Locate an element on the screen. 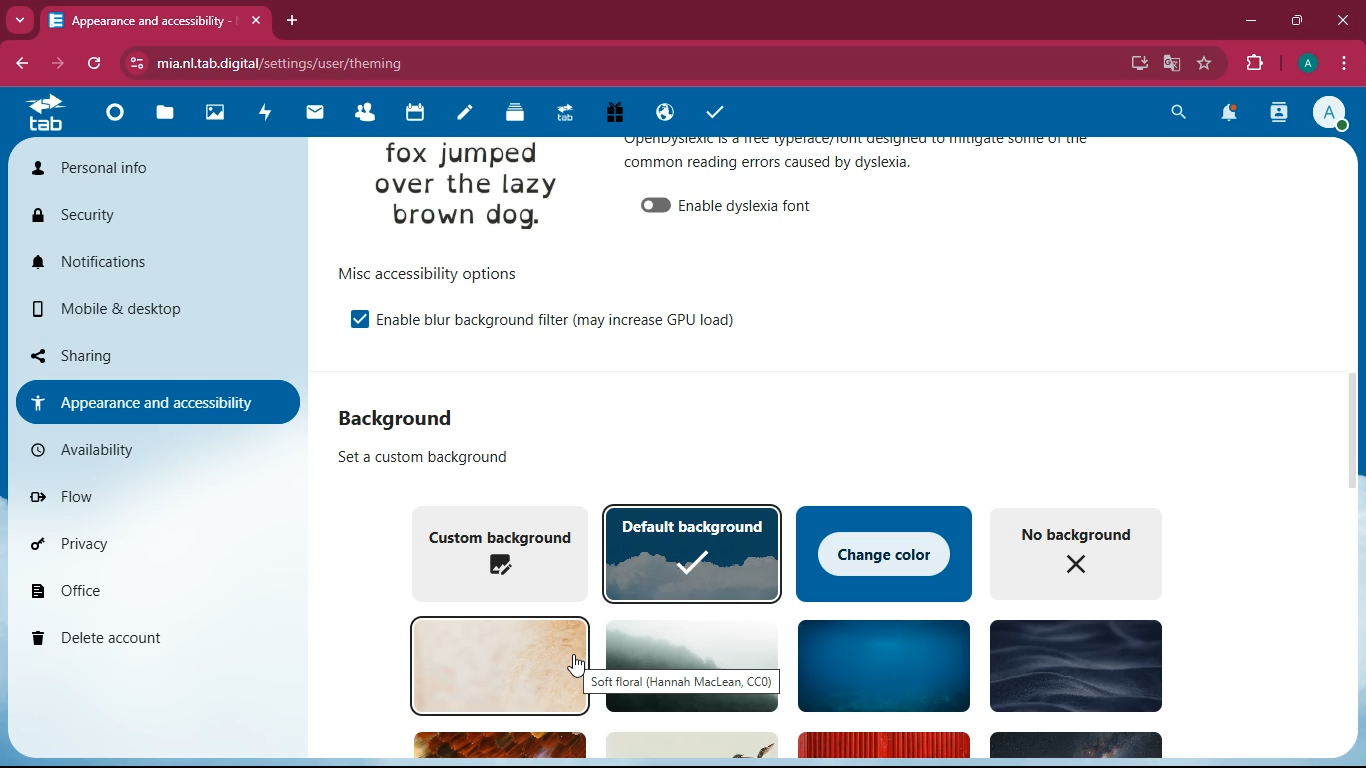 The width and height of the screenshot is (1366, 768). enable is located at coordinates (563, 321).